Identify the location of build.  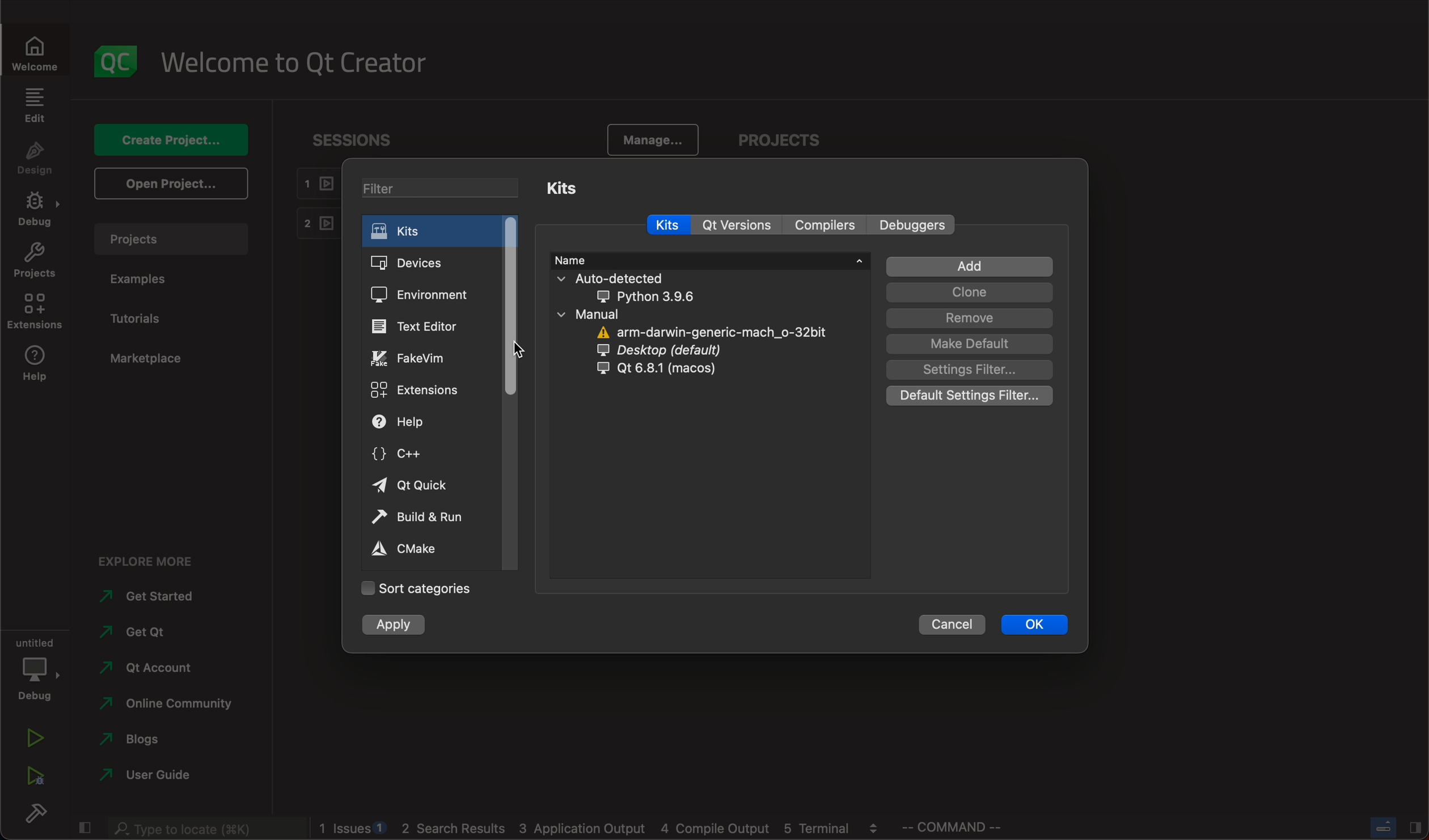
(421, 517).